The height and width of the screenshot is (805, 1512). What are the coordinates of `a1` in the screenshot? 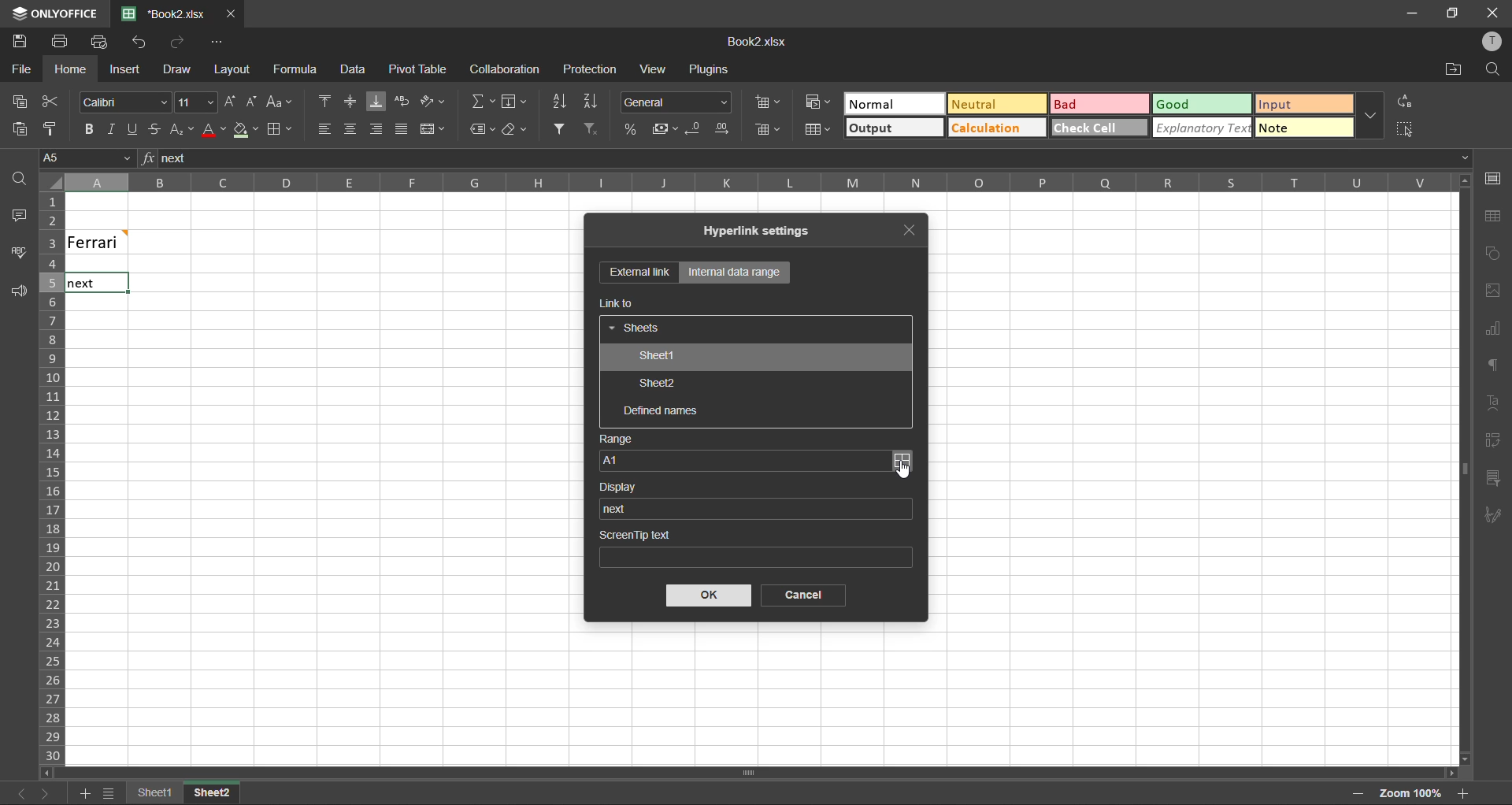 It's located at (743, 460).